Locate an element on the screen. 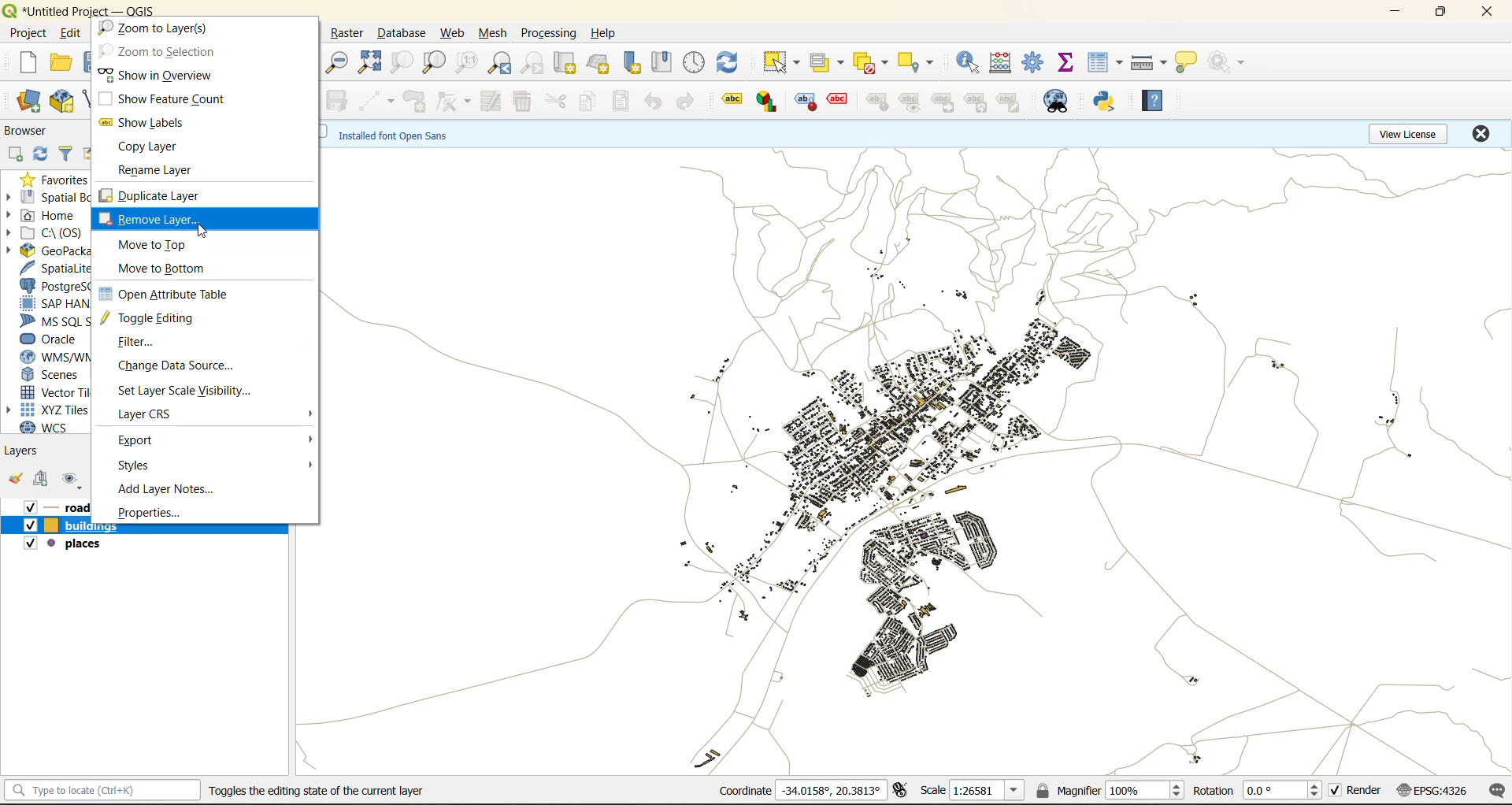 This screenshot has width=1512, height=805. coordinates is located at coordinates (802, 789).